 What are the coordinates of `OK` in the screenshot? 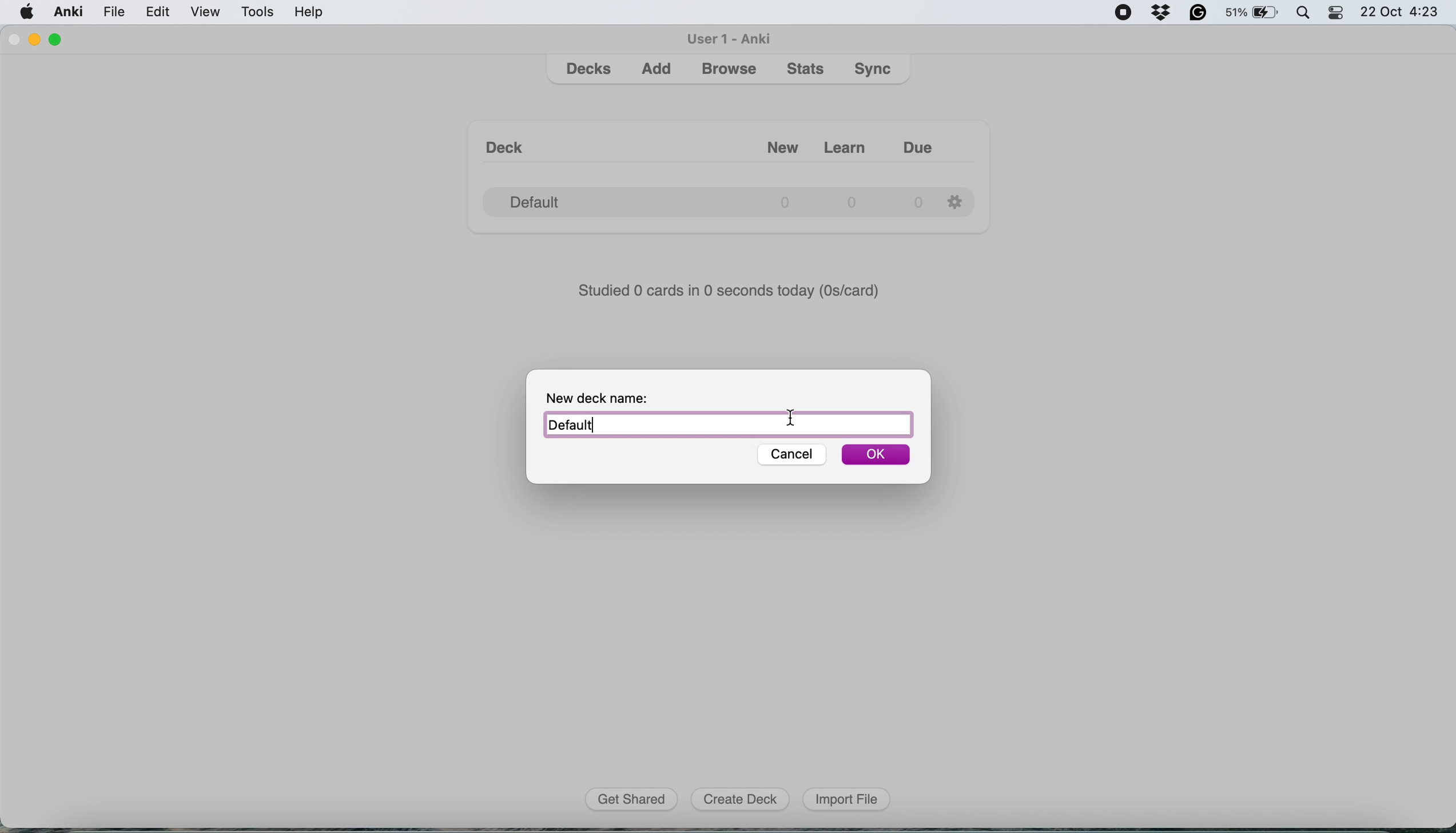 It's located at (877, 456).